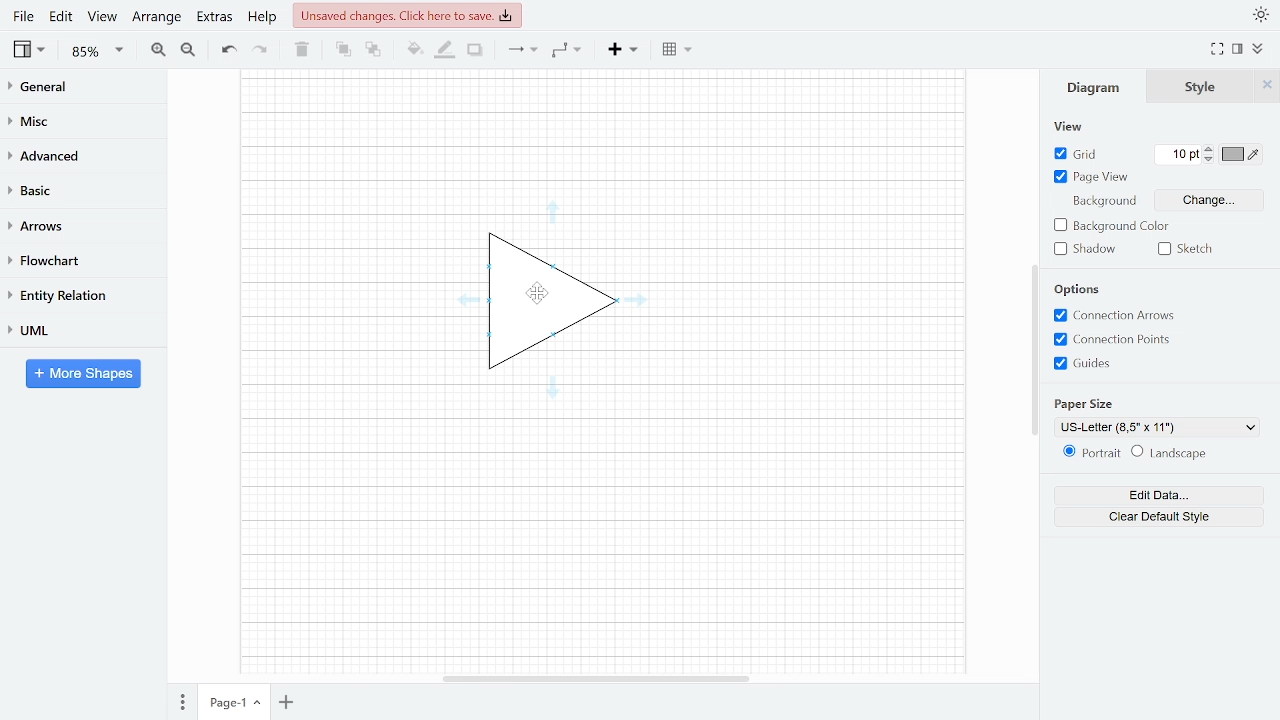  Describe the element at coordinates (224, 703) in the screenshot. I see `Current page` at that location.